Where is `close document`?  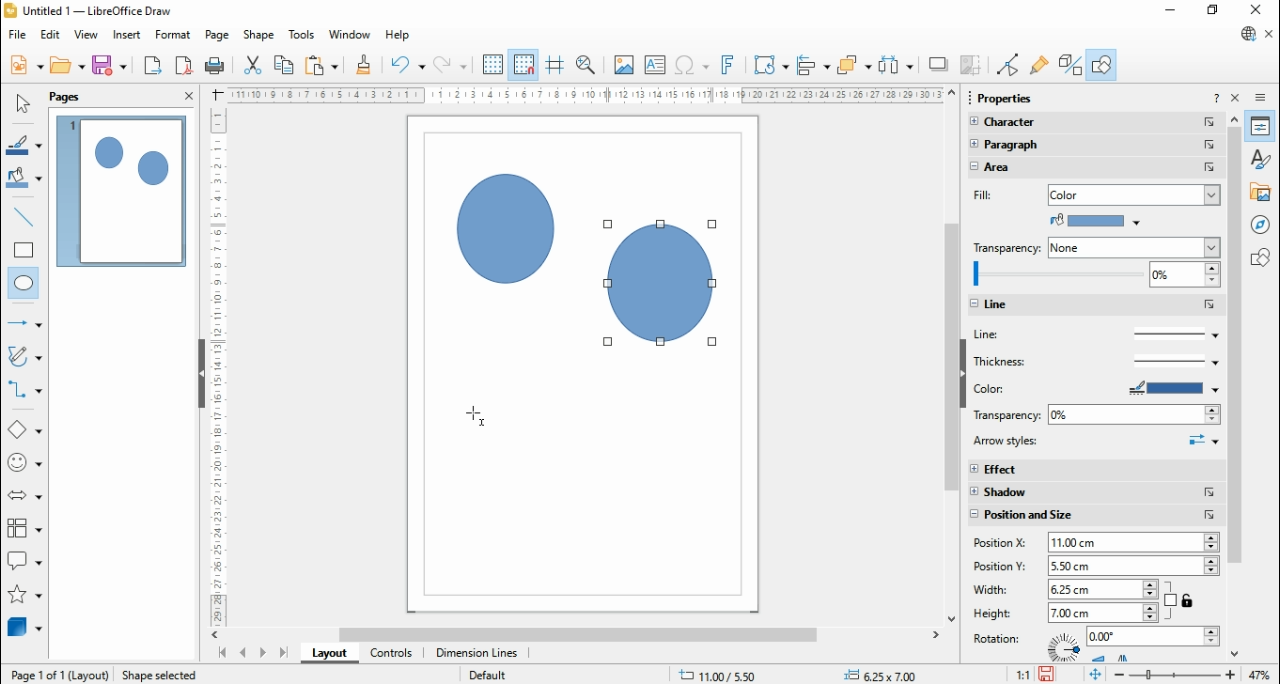 close document is located at coordinates (1270, 35).